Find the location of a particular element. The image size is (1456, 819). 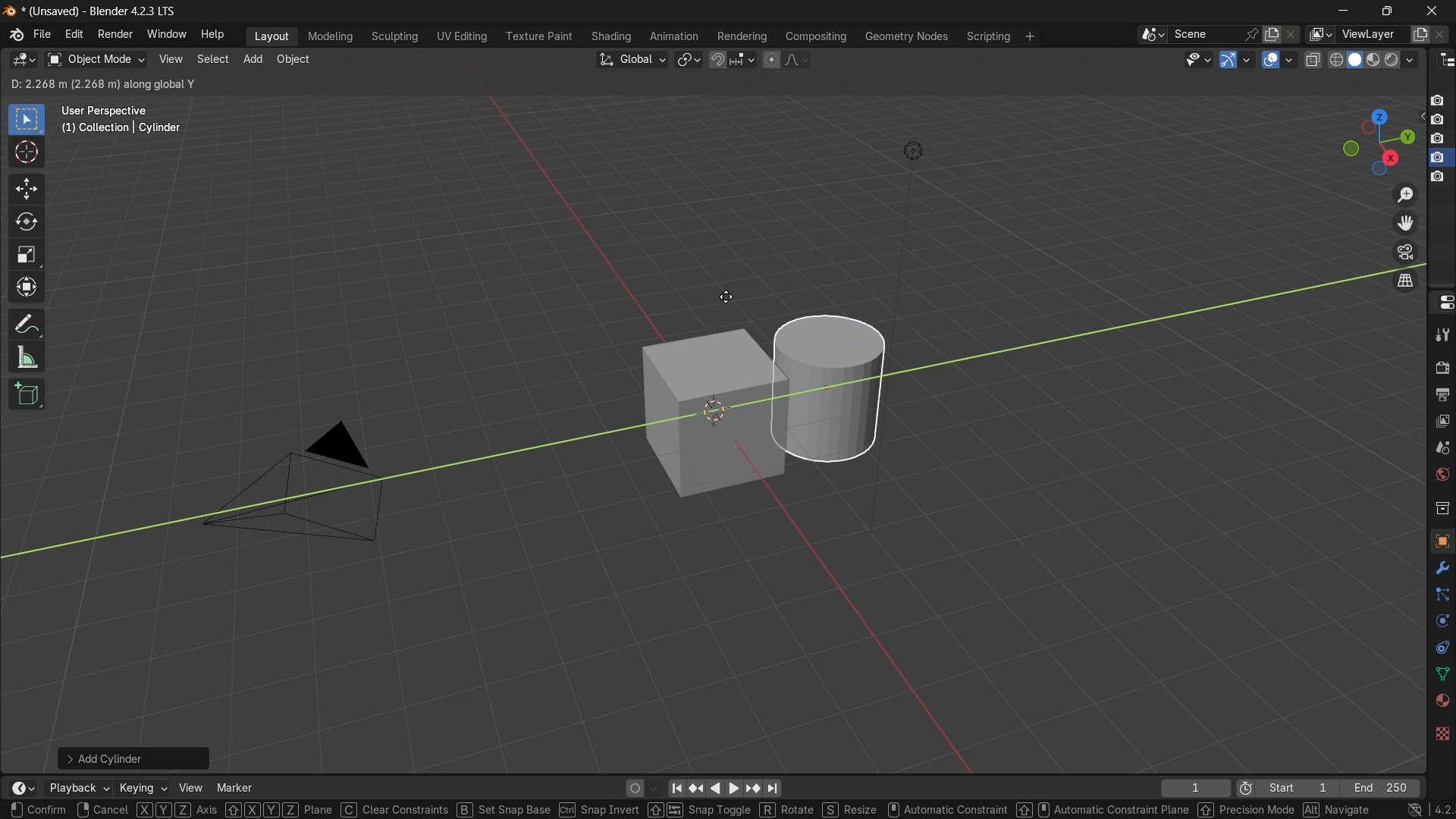

D: 0.1058 m (0.1058 m) along global Y is located at coordinates (108, 84).